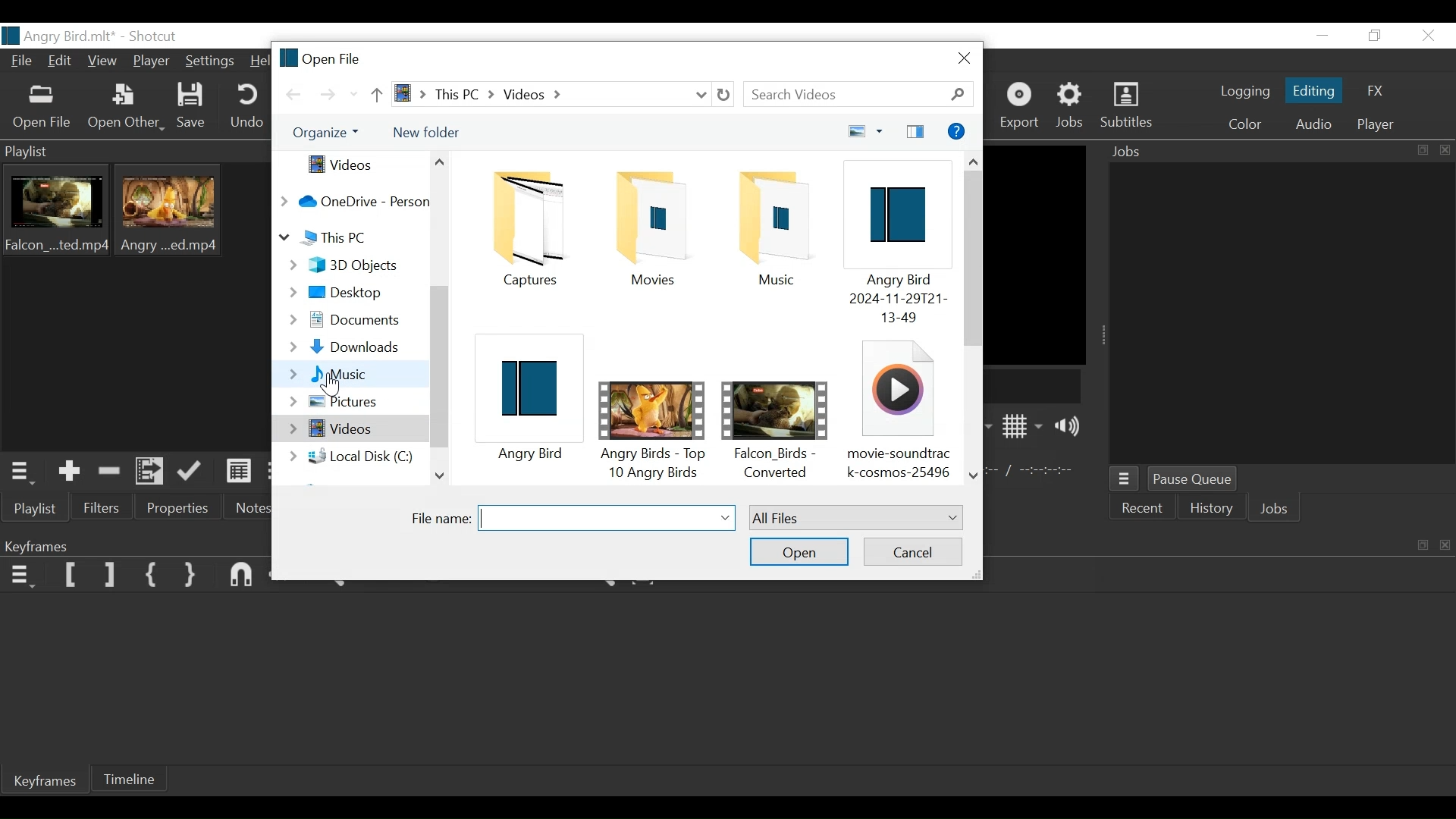 The image size is (1456, 819). I want to click on Jobs Menu, so click(1128, 479).